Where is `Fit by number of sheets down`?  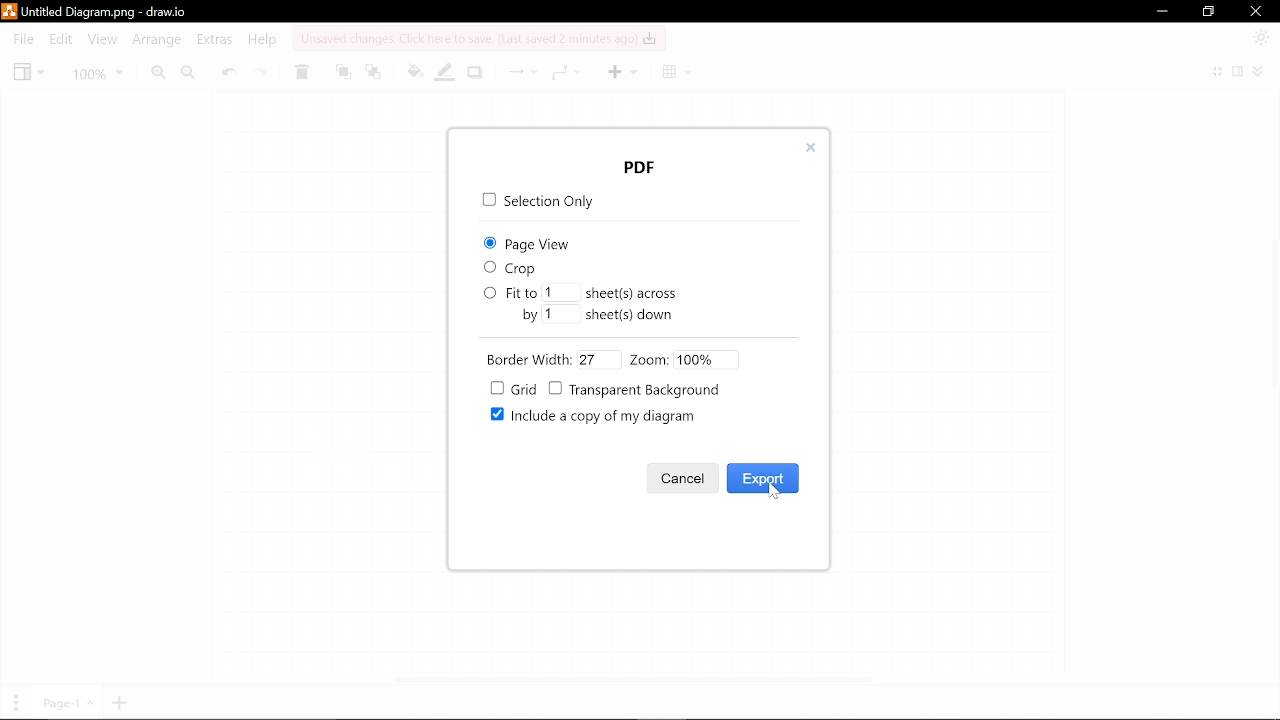
Fit by number of sheets down is located at coordinates (607, 314).